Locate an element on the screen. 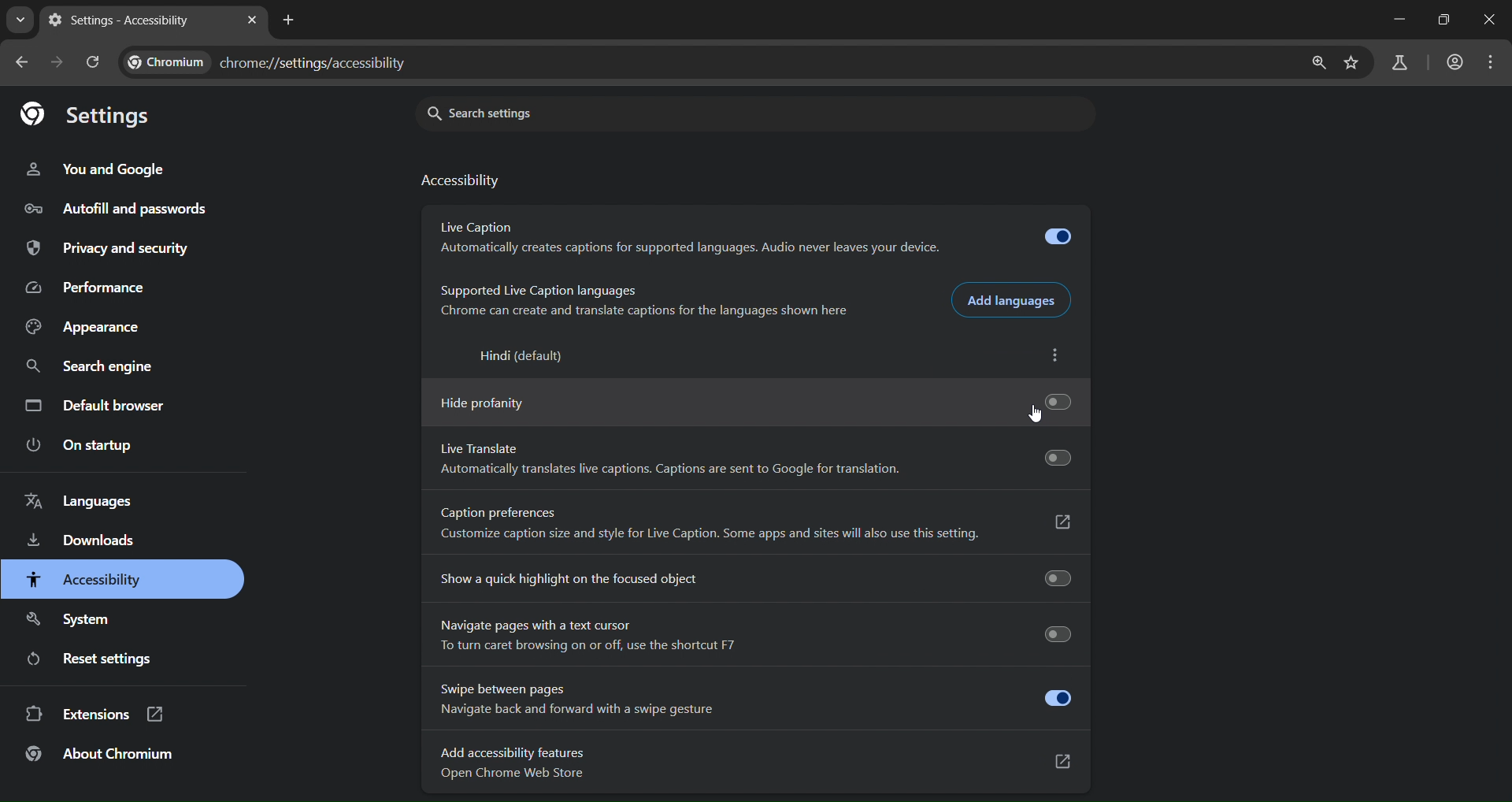 Image resolution: width=1512 pixels, height=802 pixels. cursor is located at coordinates (1040, 414).